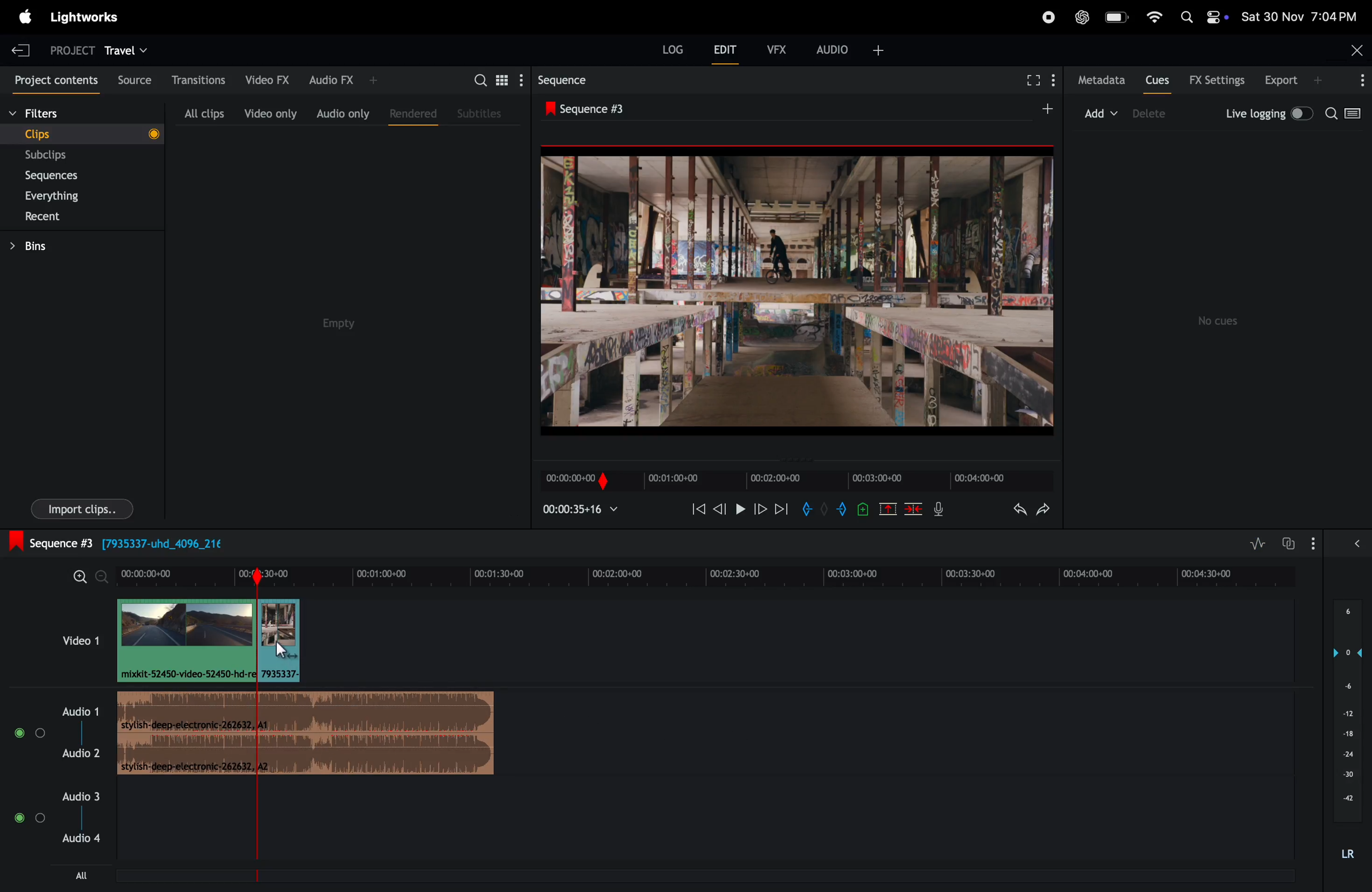 The width and height of the screenshot is (1372, 892). I want to click on output frame, so click(800, 289).